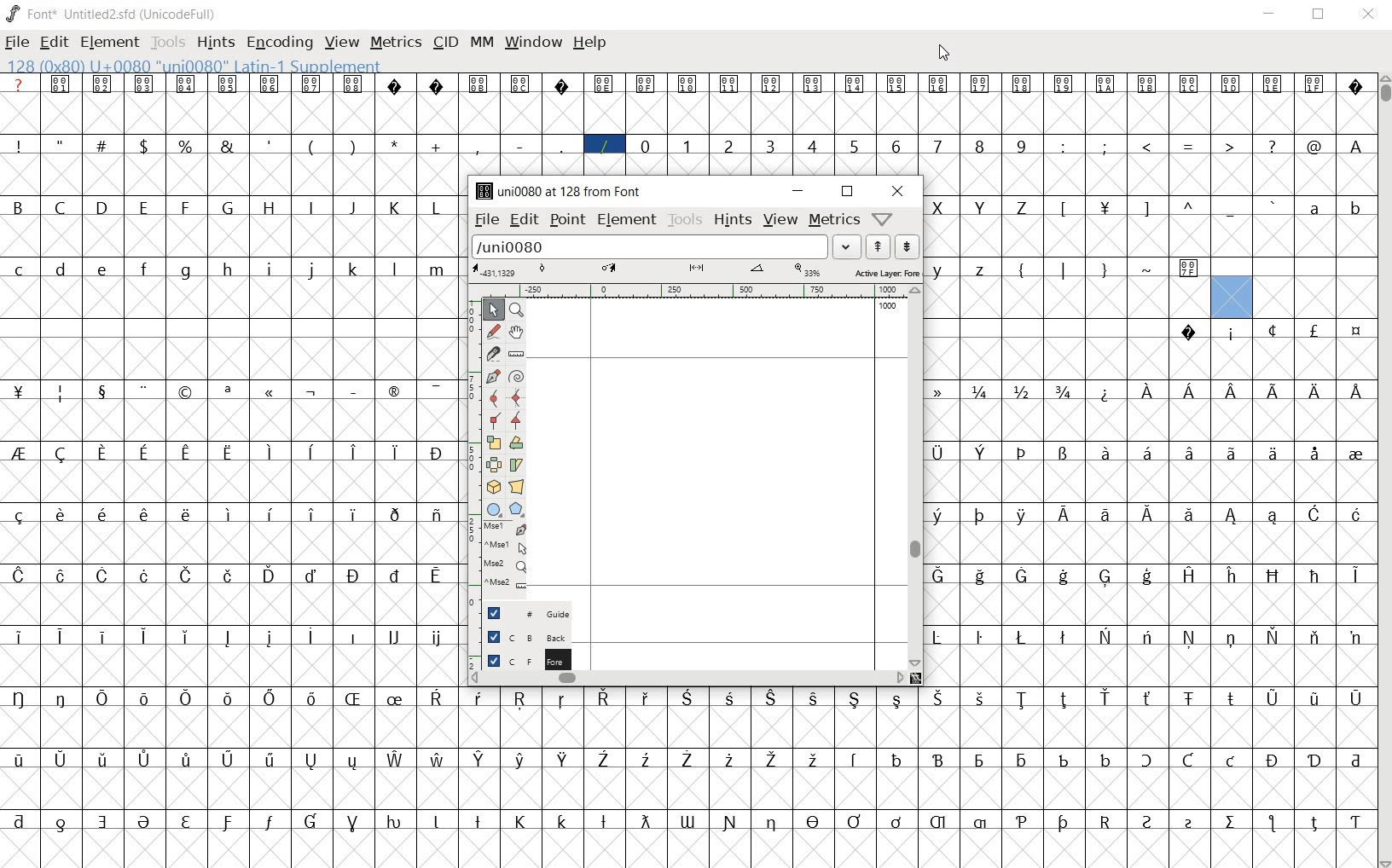  I want to click on glyph, so click(1355, 455).